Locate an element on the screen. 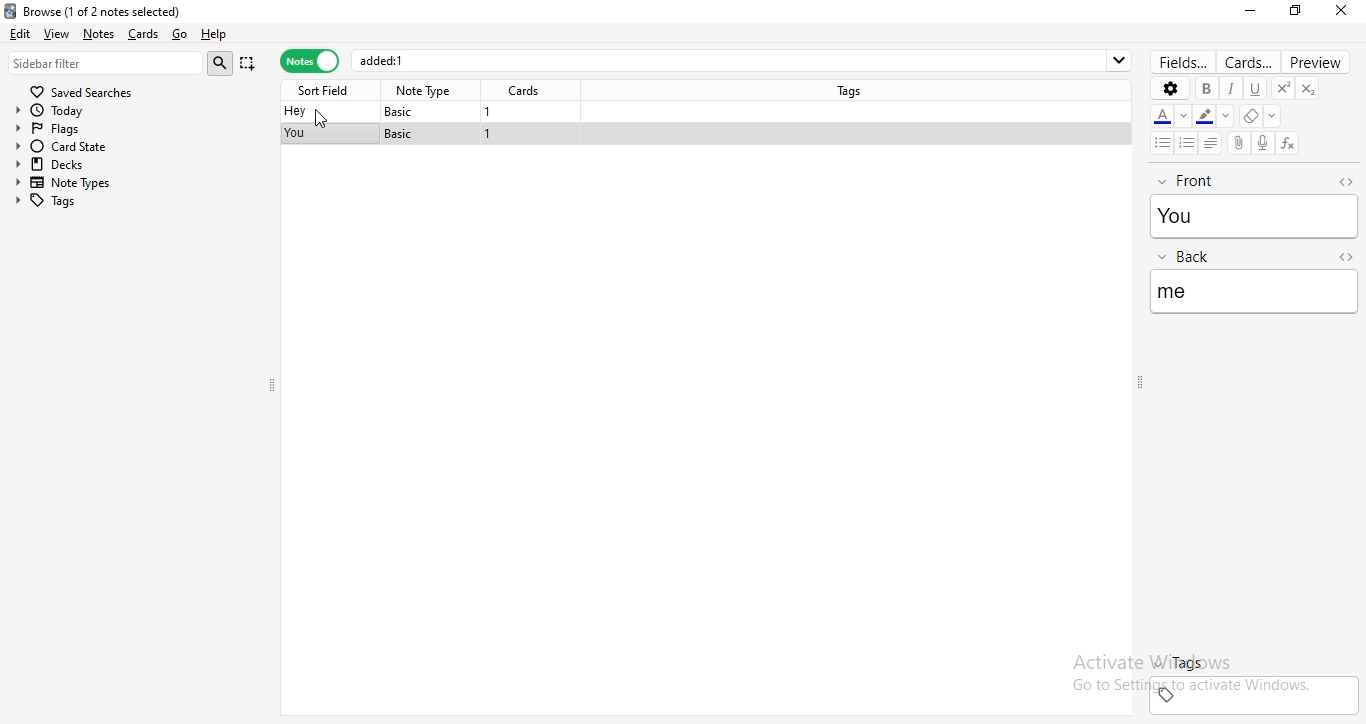 The image size is (1366, 724). edit is located at coordinates (19, 32).